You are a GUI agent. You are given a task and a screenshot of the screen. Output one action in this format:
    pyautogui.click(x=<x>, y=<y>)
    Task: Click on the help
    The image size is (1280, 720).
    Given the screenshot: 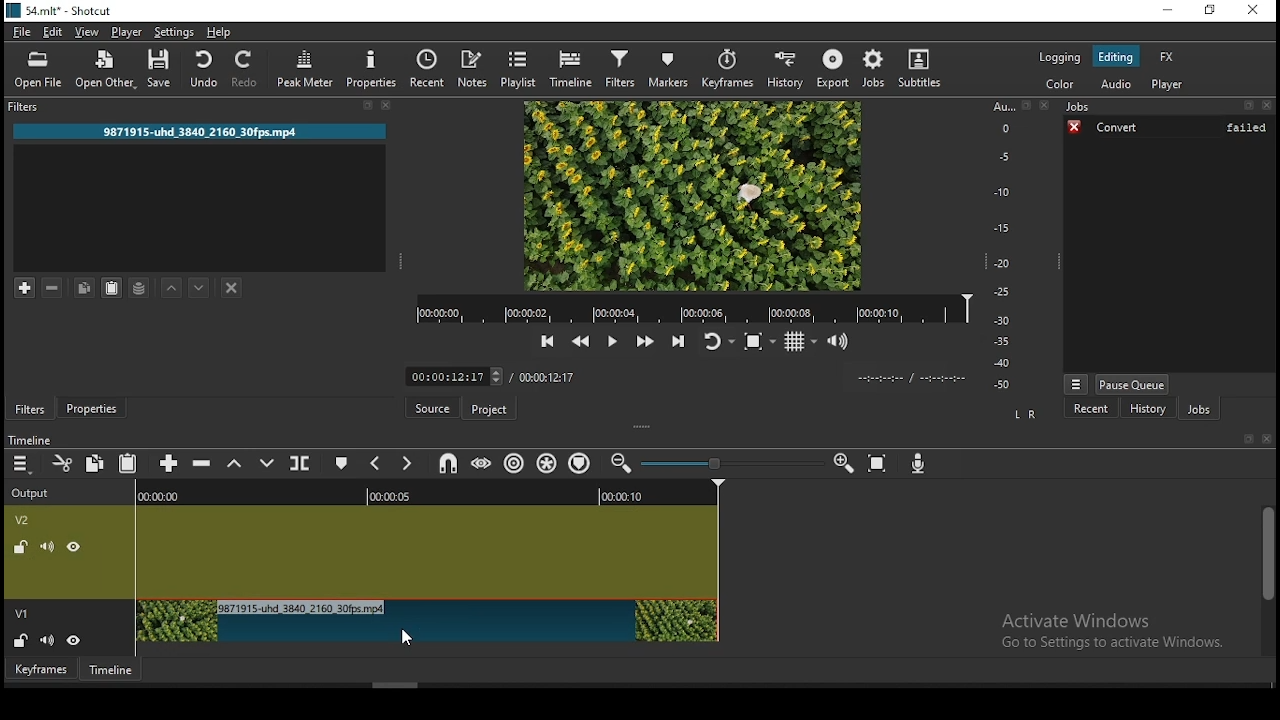 What is the action you would take?
    pyautogui.click(x=219, y=33)
    